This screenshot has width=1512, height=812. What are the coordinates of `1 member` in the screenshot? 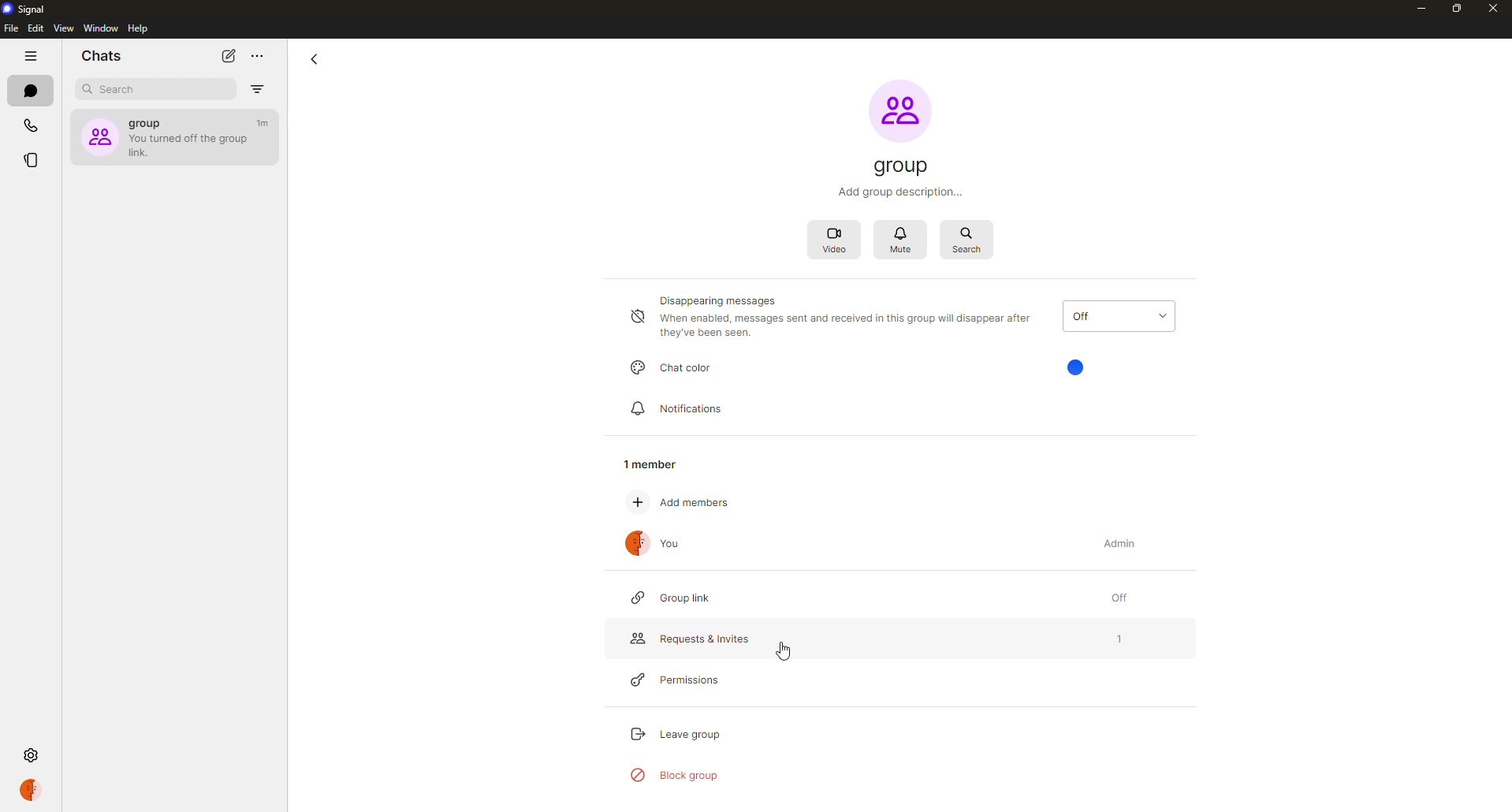 It's located at (657, 460).